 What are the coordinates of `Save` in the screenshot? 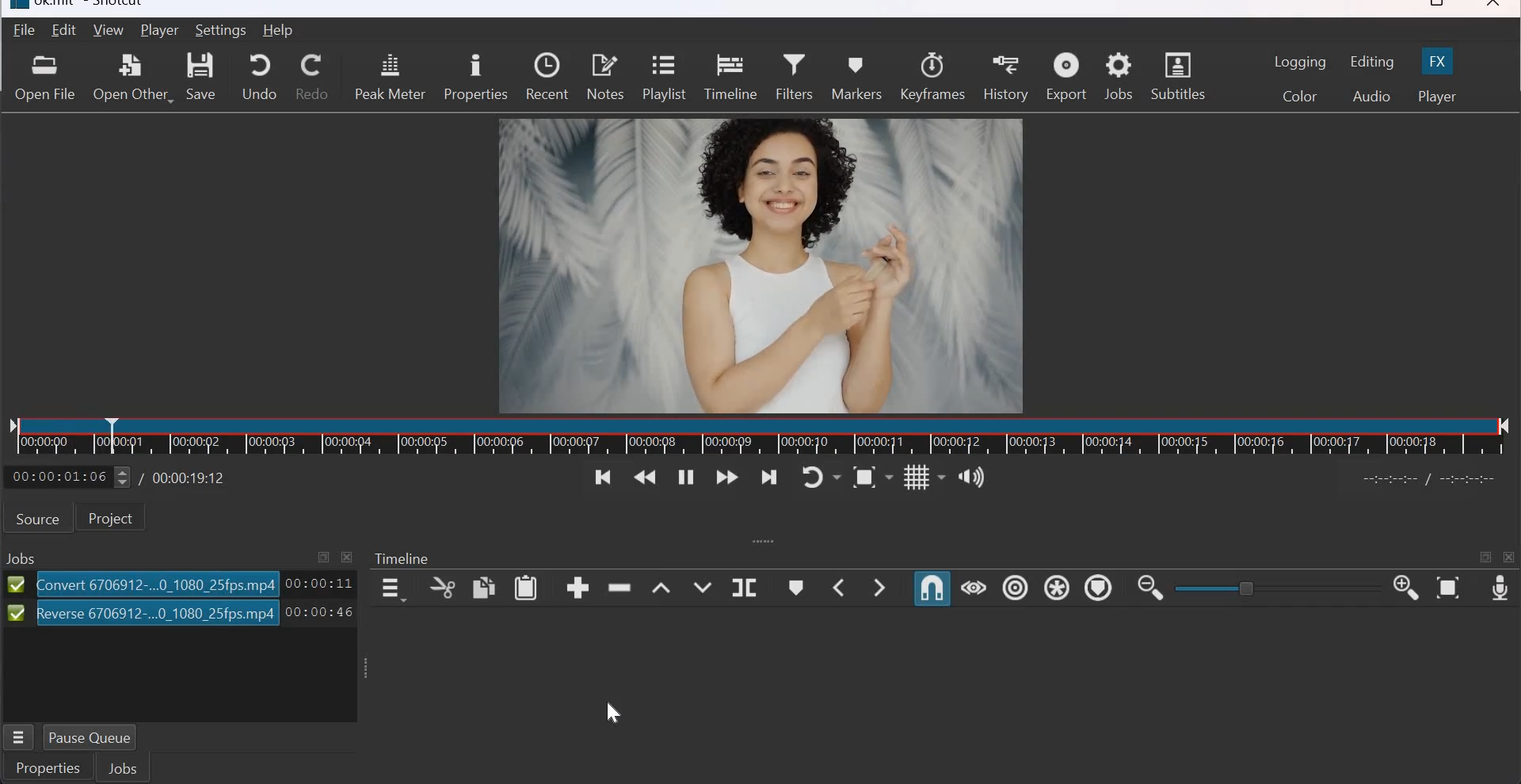 It's located at (204, 76).